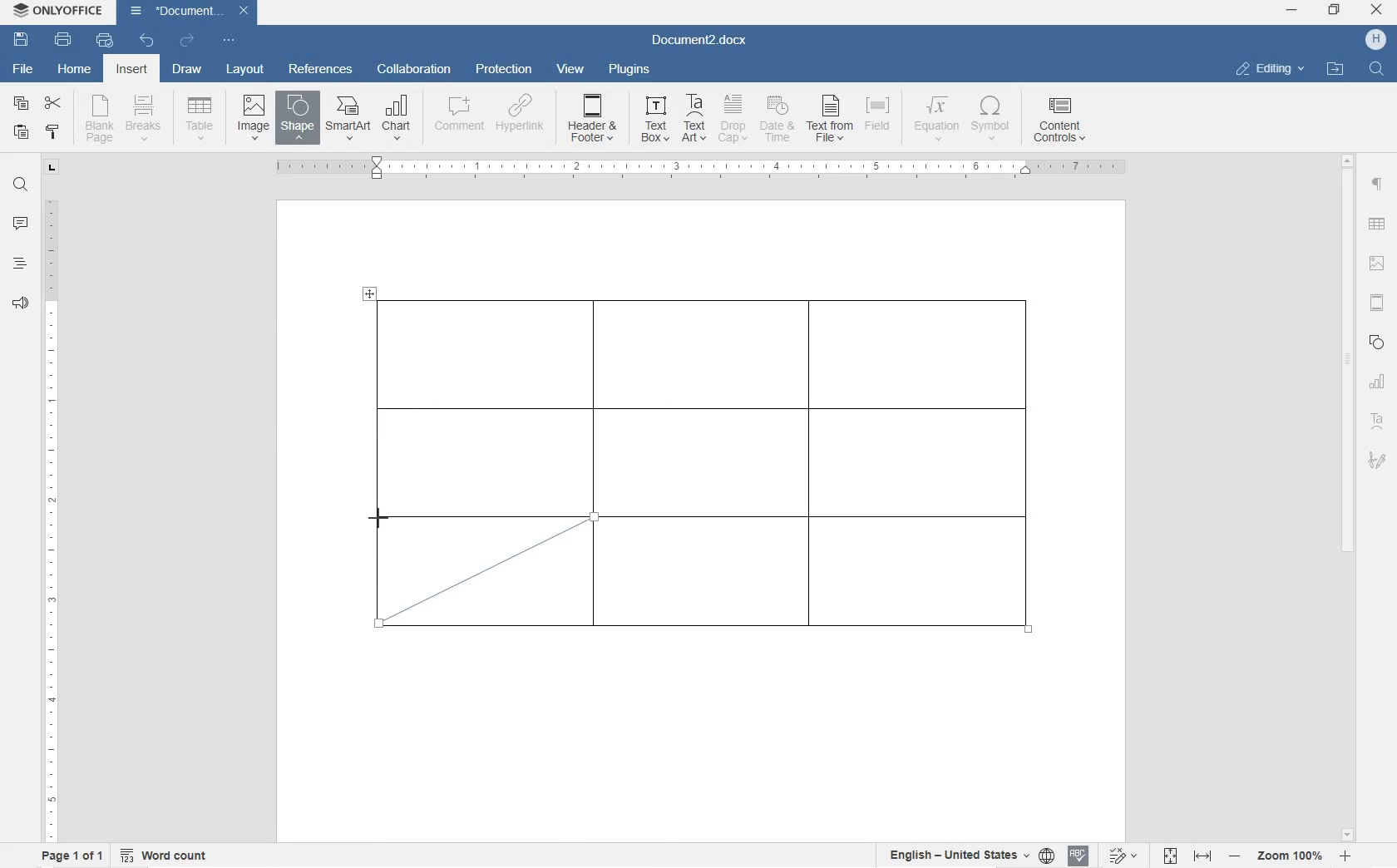 The height and width of the screenshot is (868, 1397). Describe the element at coordinates (61, 11) in the screenshot. I see `ONLYOFFICE` at that location.